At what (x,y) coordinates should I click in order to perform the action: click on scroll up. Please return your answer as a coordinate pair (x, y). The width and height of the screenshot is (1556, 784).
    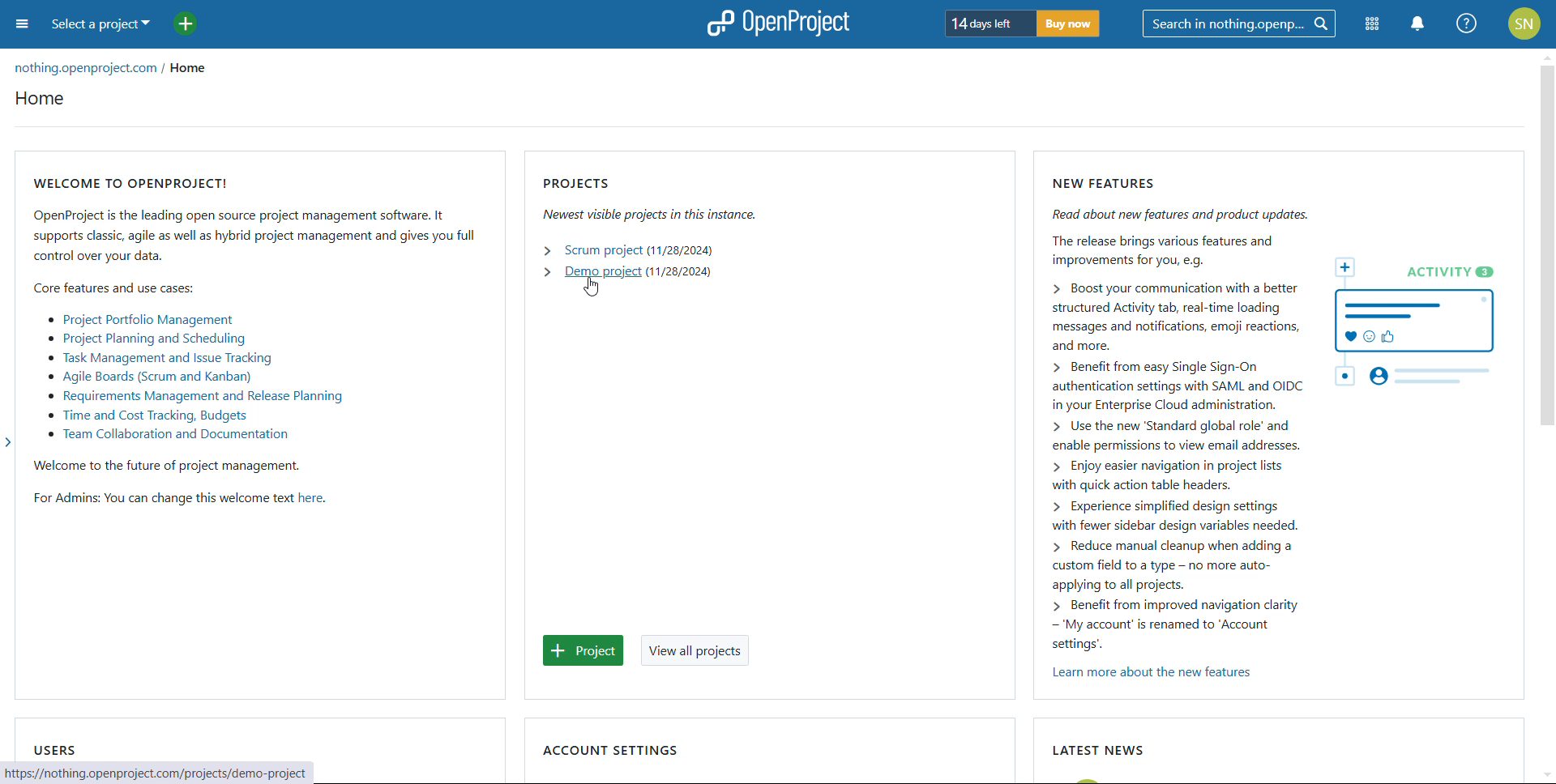
    Looking at the image, I should click on (1546, 55).